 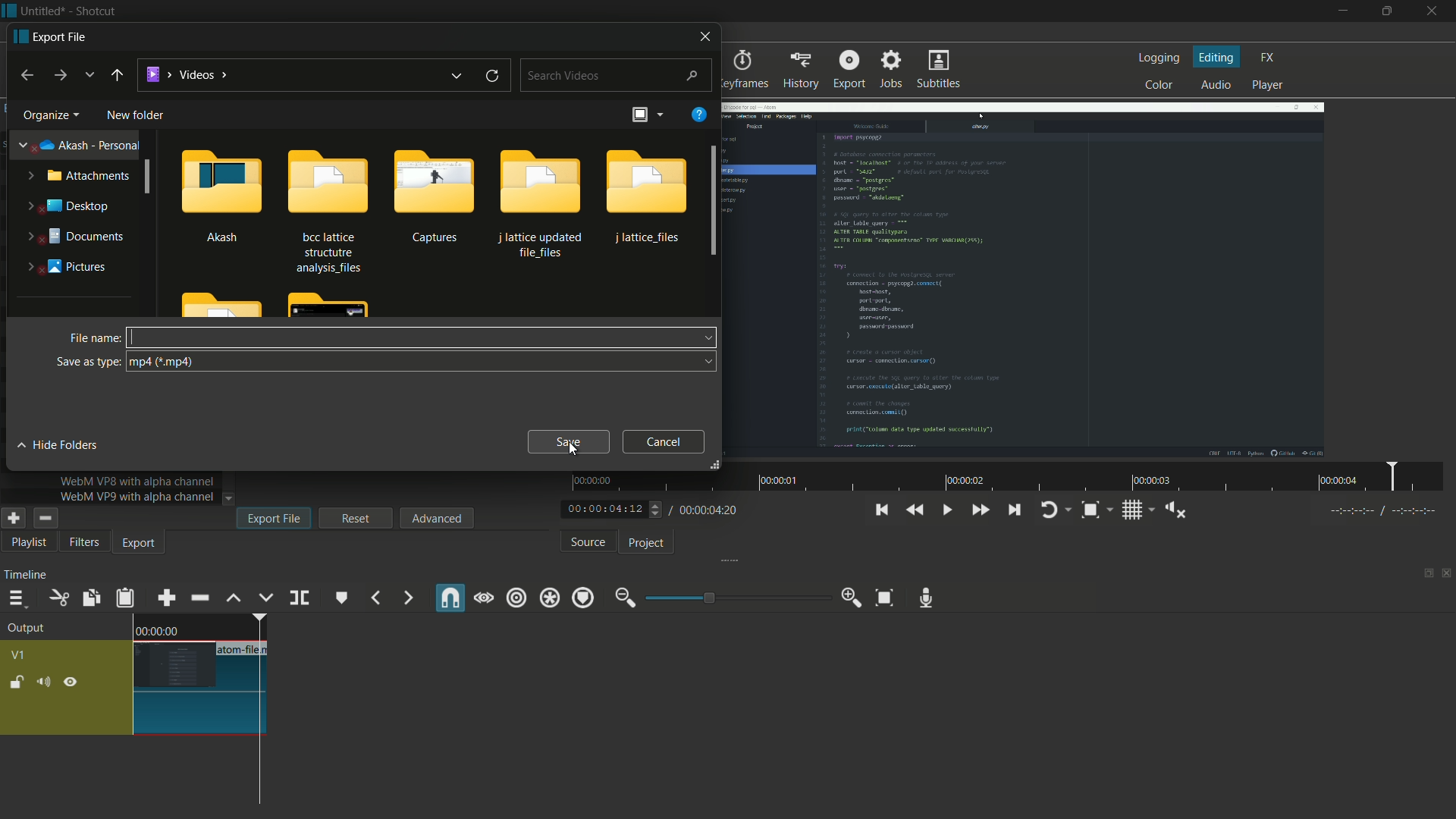 What do you see at coordinates (62, 76) in the screenshot?
I see `forward` at bounding box center [62, 76].